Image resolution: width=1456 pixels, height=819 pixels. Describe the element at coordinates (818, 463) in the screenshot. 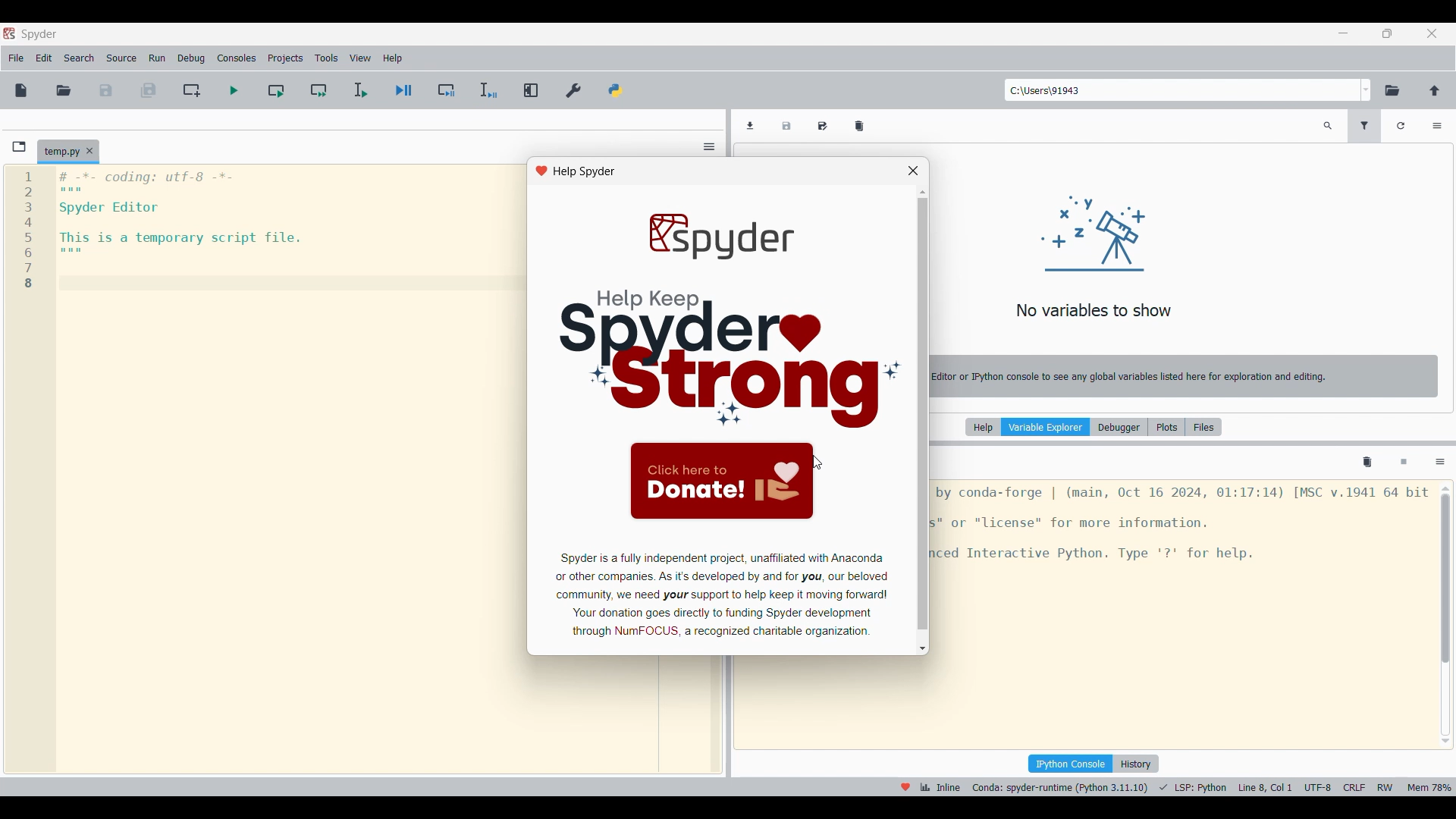

I see `cursor` at that location.